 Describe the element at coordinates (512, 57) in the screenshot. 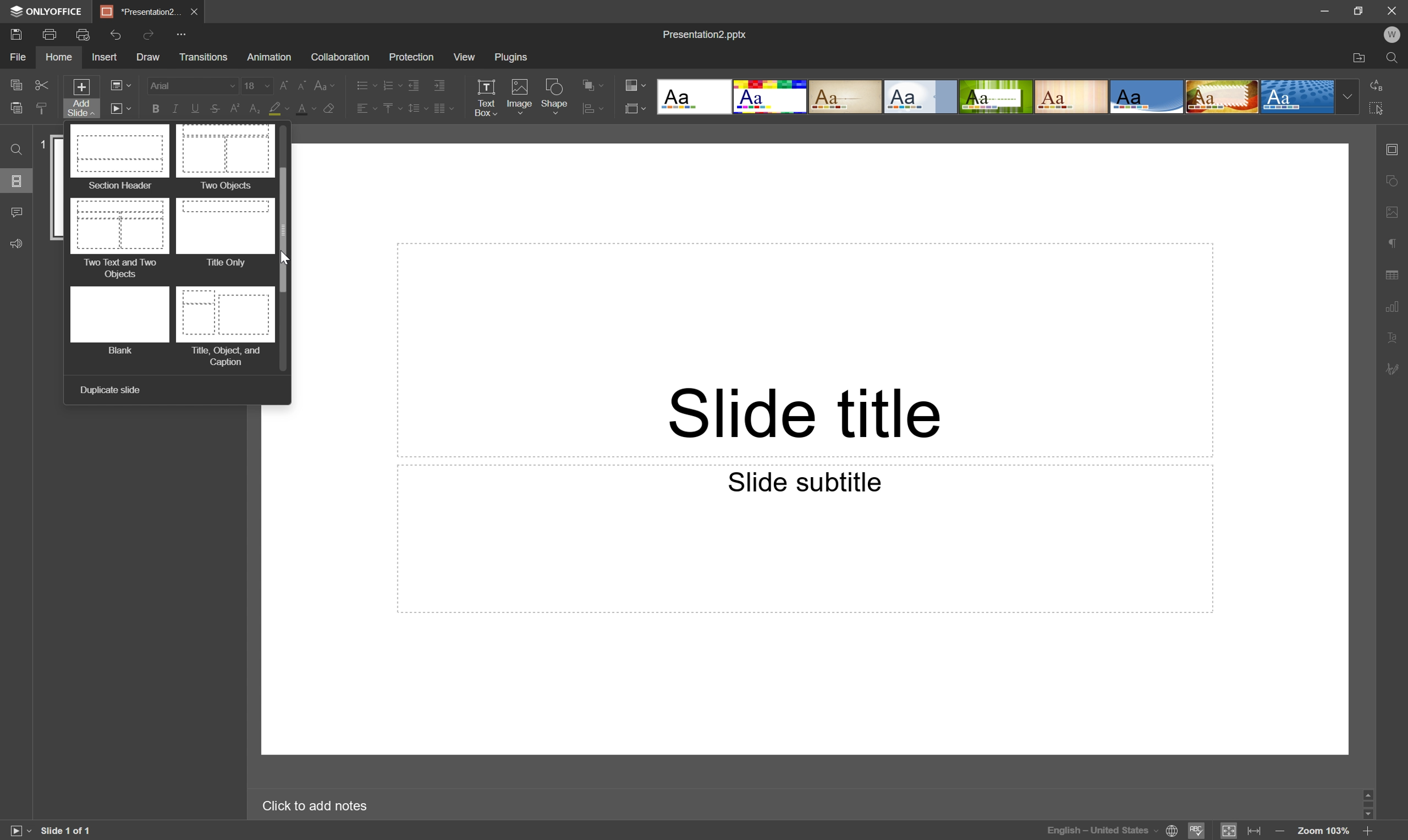

I see `Plugins` at that location.